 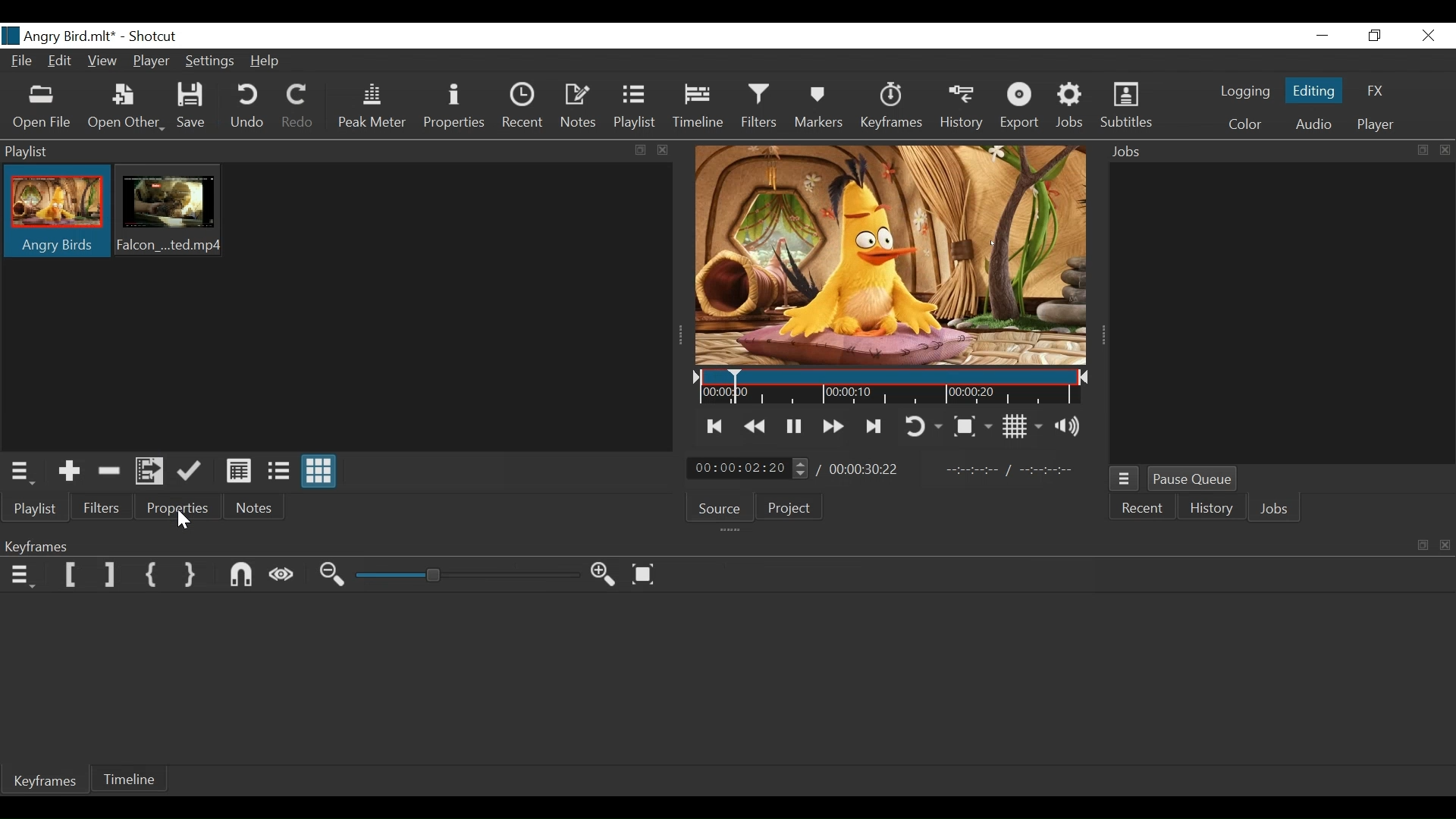 I want to click on Jobs Panel, so click(x=1285, y=314).